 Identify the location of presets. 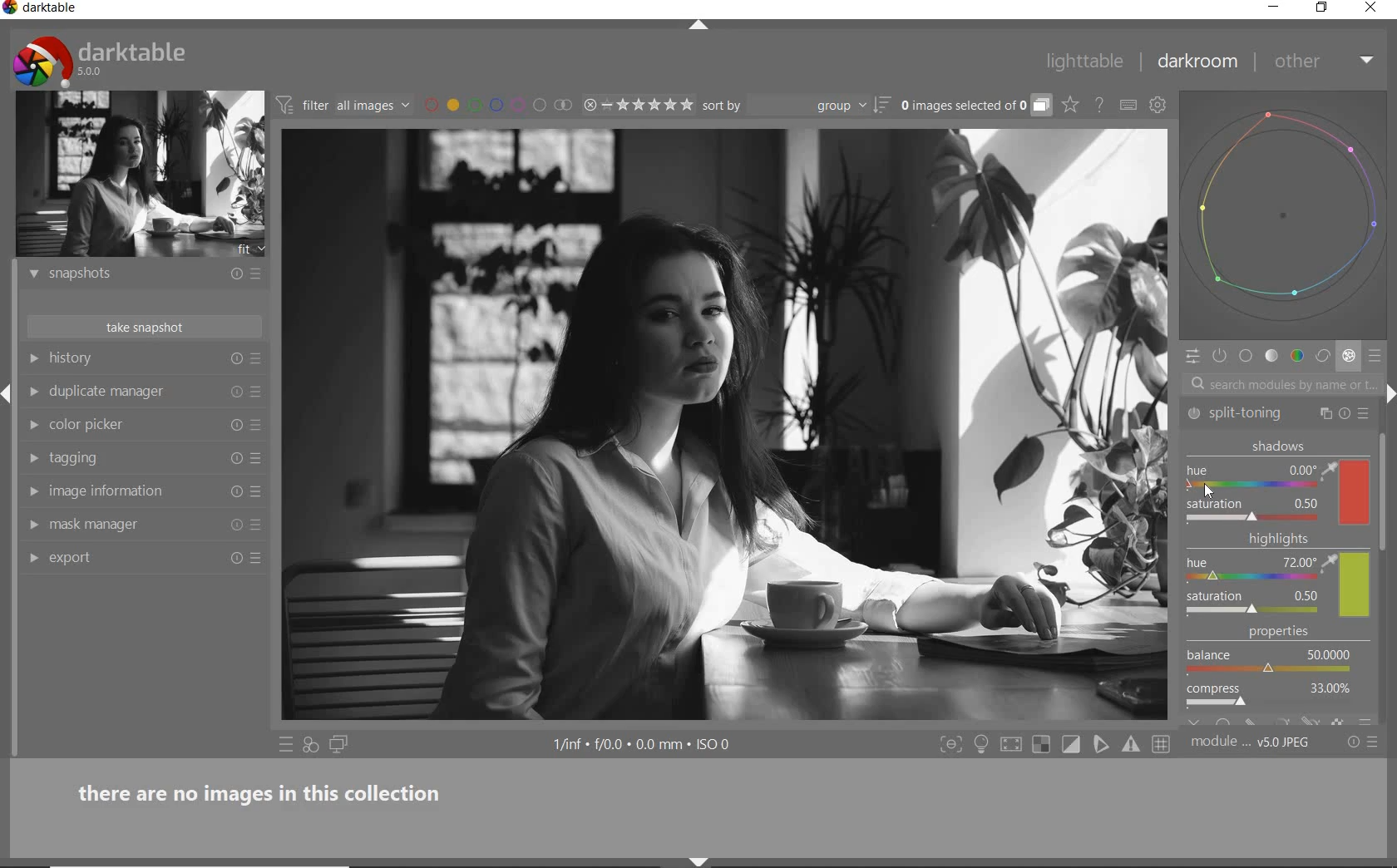
(1366, 414).